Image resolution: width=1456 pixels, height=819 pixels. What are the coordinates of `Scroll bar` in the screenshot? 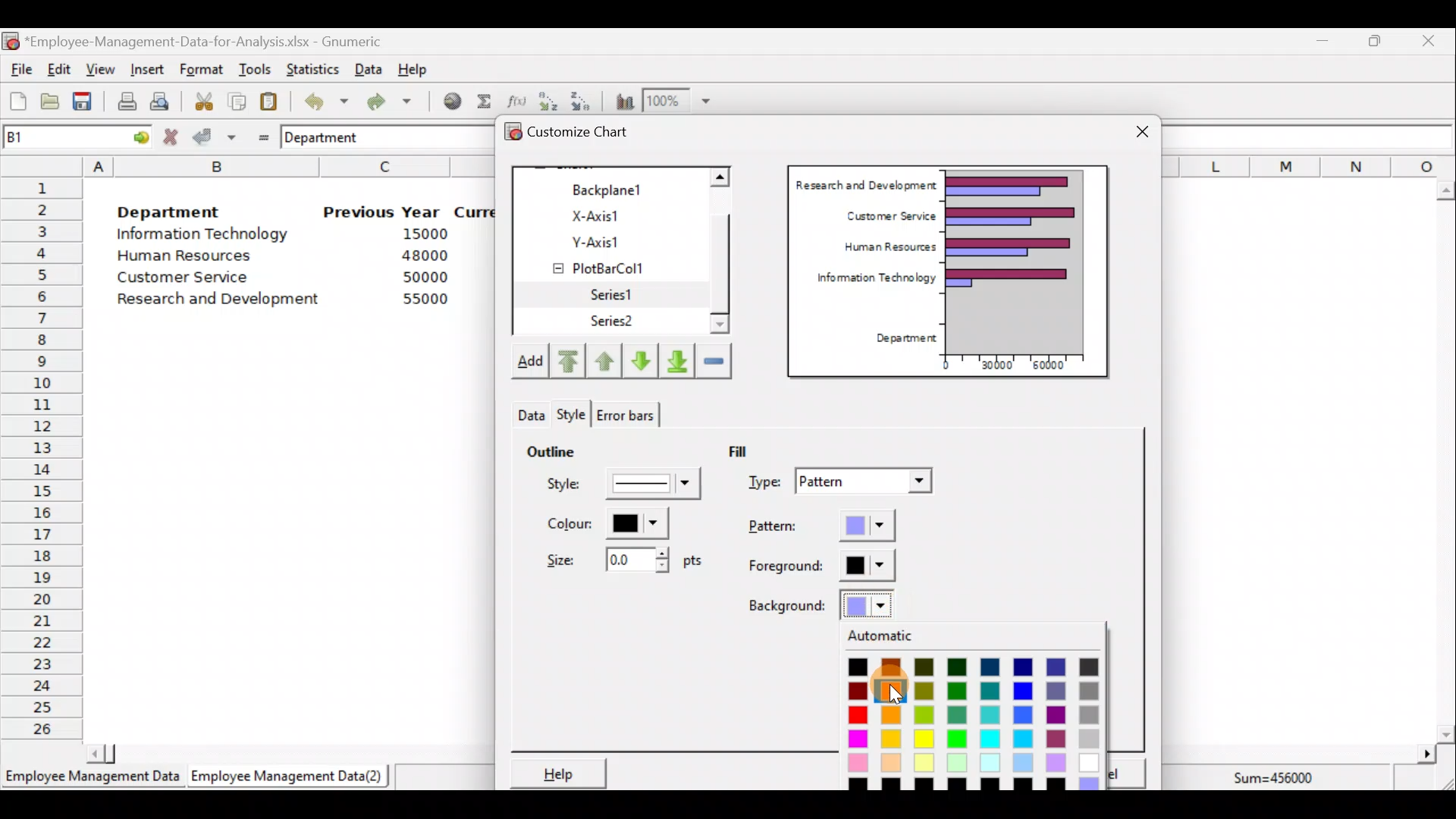 It's located at (283, 752).